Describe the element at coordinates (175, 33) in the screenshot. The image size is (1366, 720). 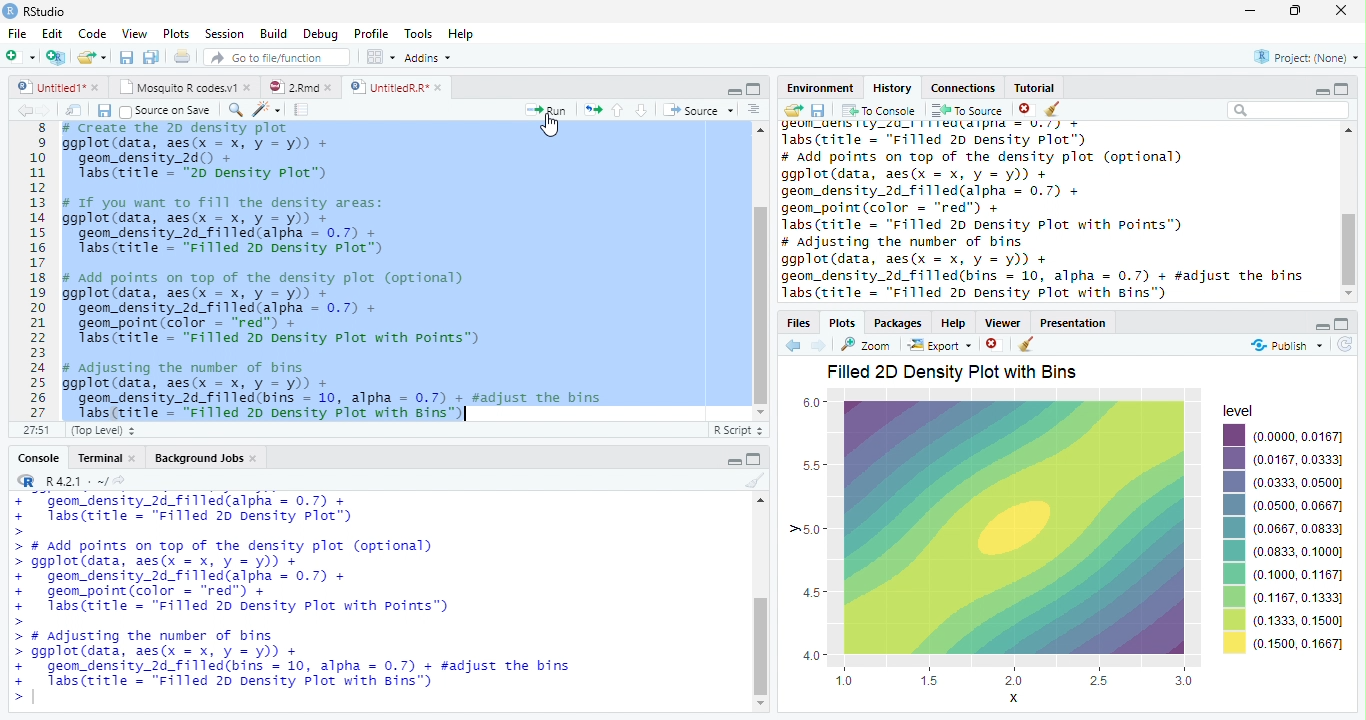
I see `Plots` at that location.